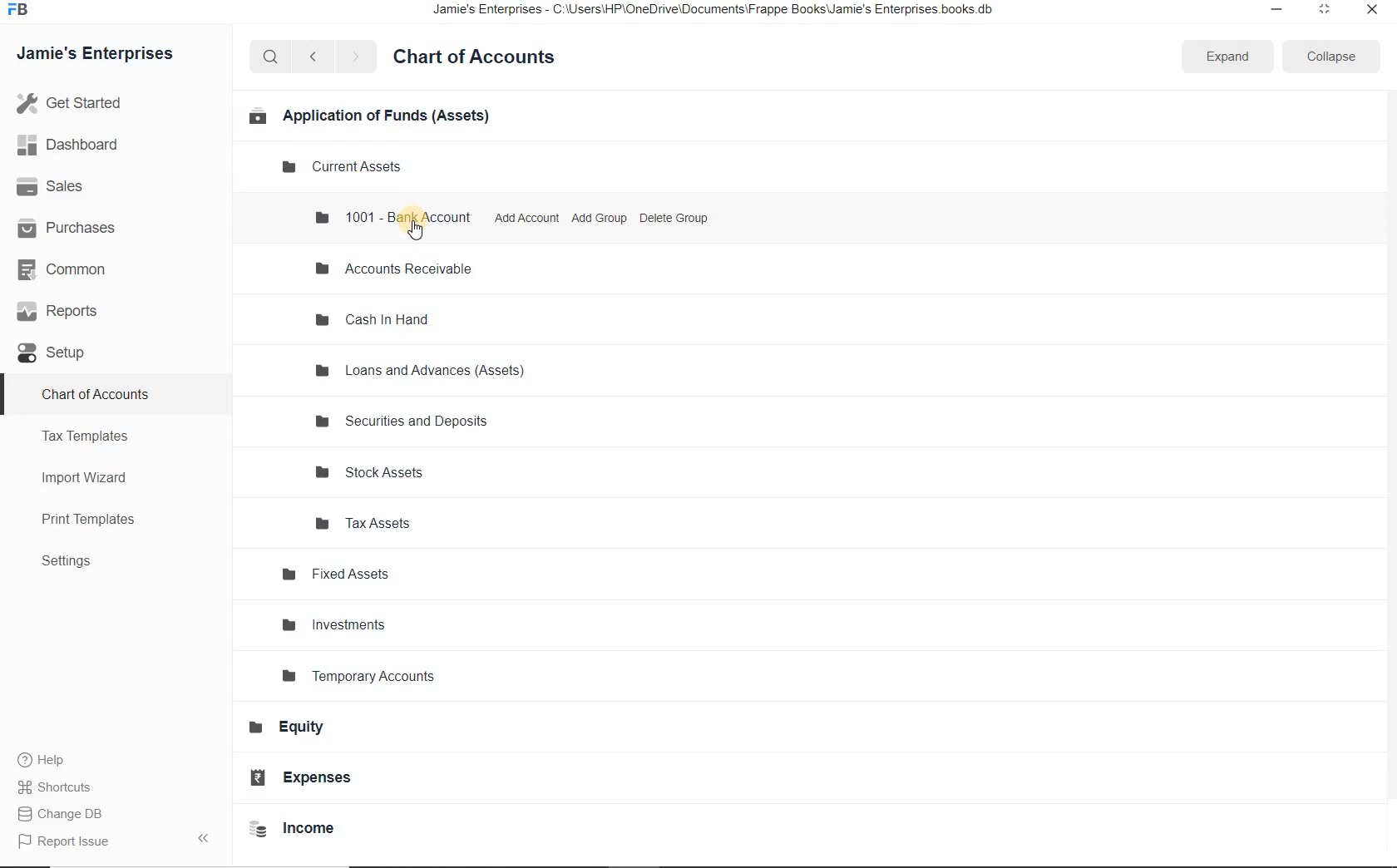 Image resolution: width=1397 pixels, height=868 pixels. Describe the element at coordinates (343, 574) in the screenshot. I see `Fixed Assets` at that location.